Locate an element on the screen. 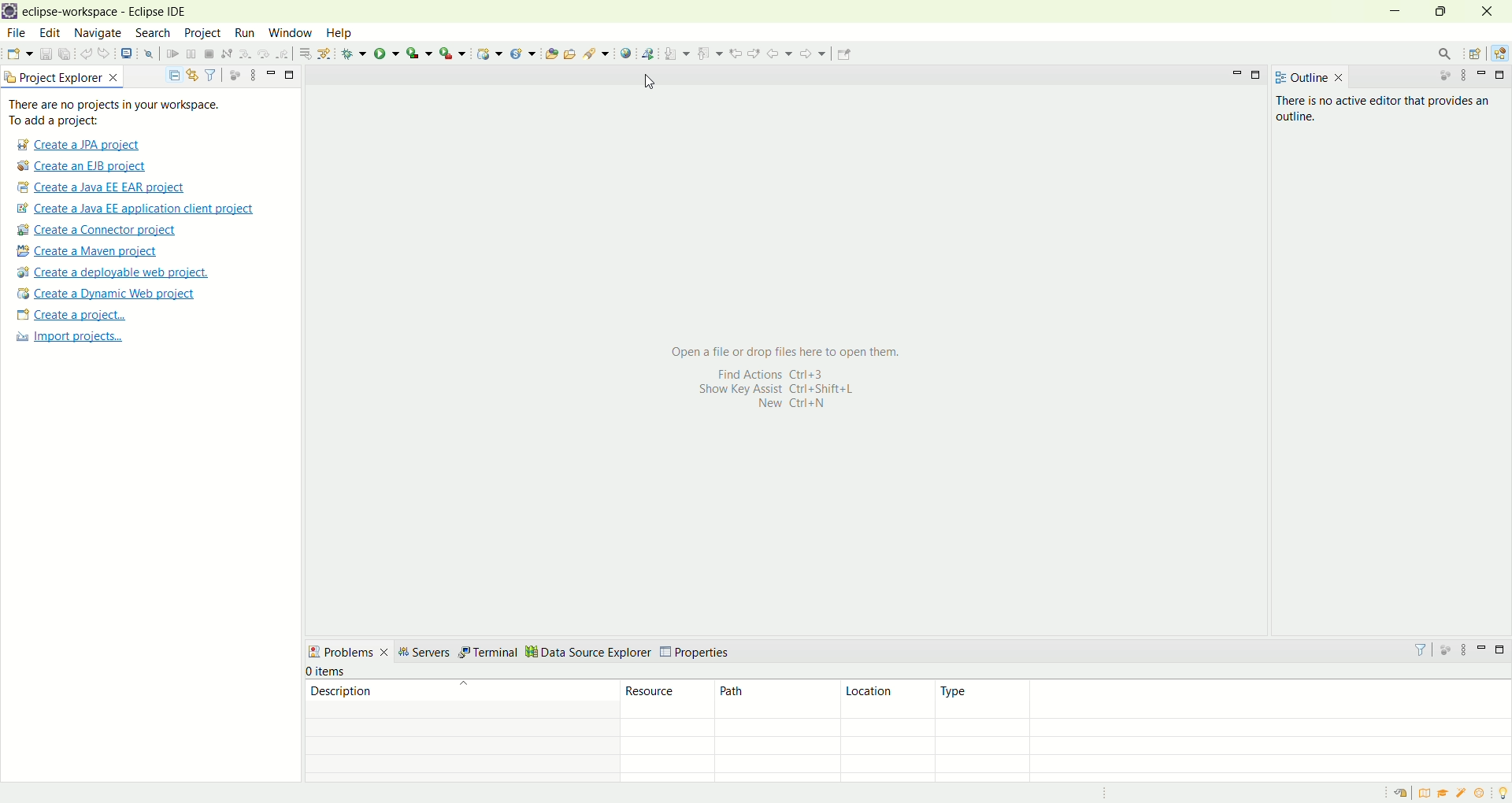 This screenshot has height=803, width=1512. create a deployable web project is located at coordinates (113, 273).